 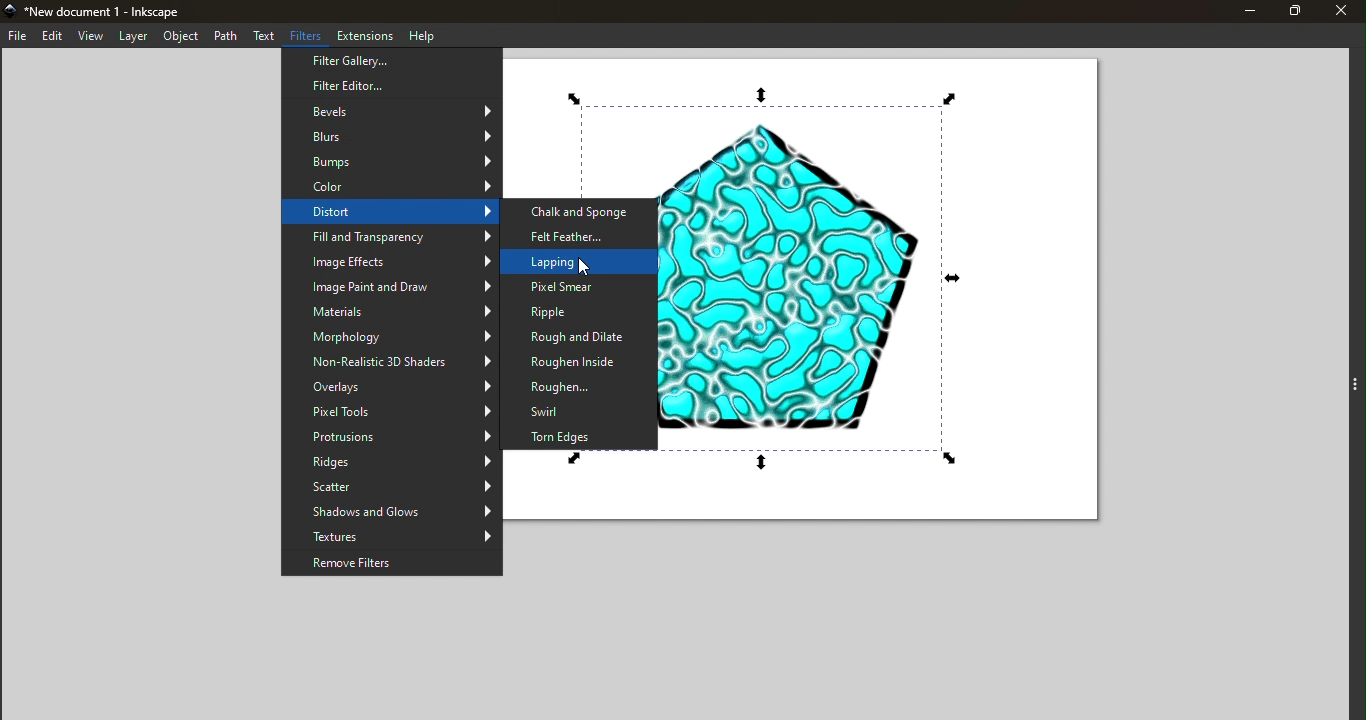 I want to click on Distort, so click(x=389, y=213).